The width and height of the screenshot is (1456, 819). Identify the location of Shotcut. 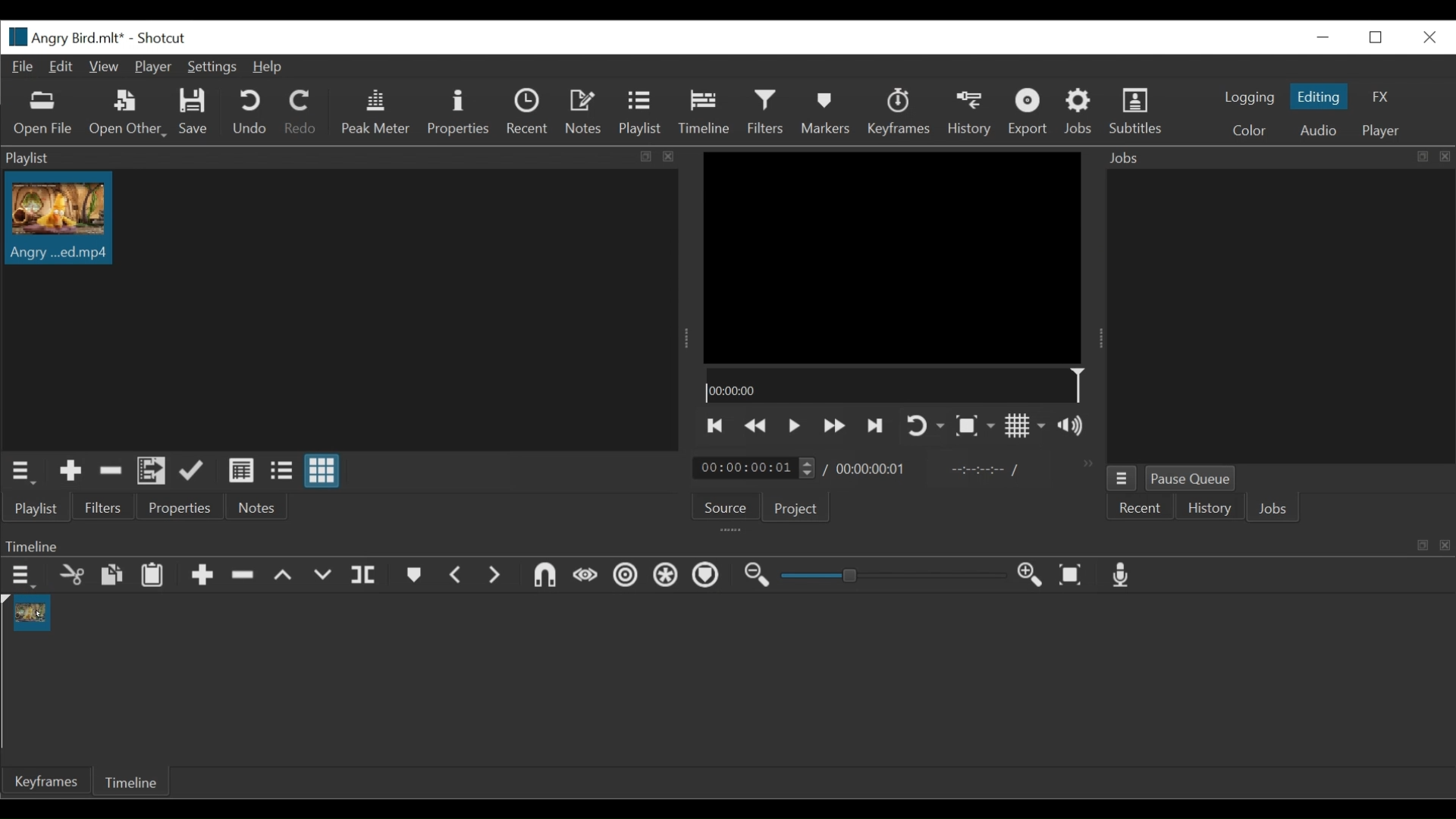
(165, 39).